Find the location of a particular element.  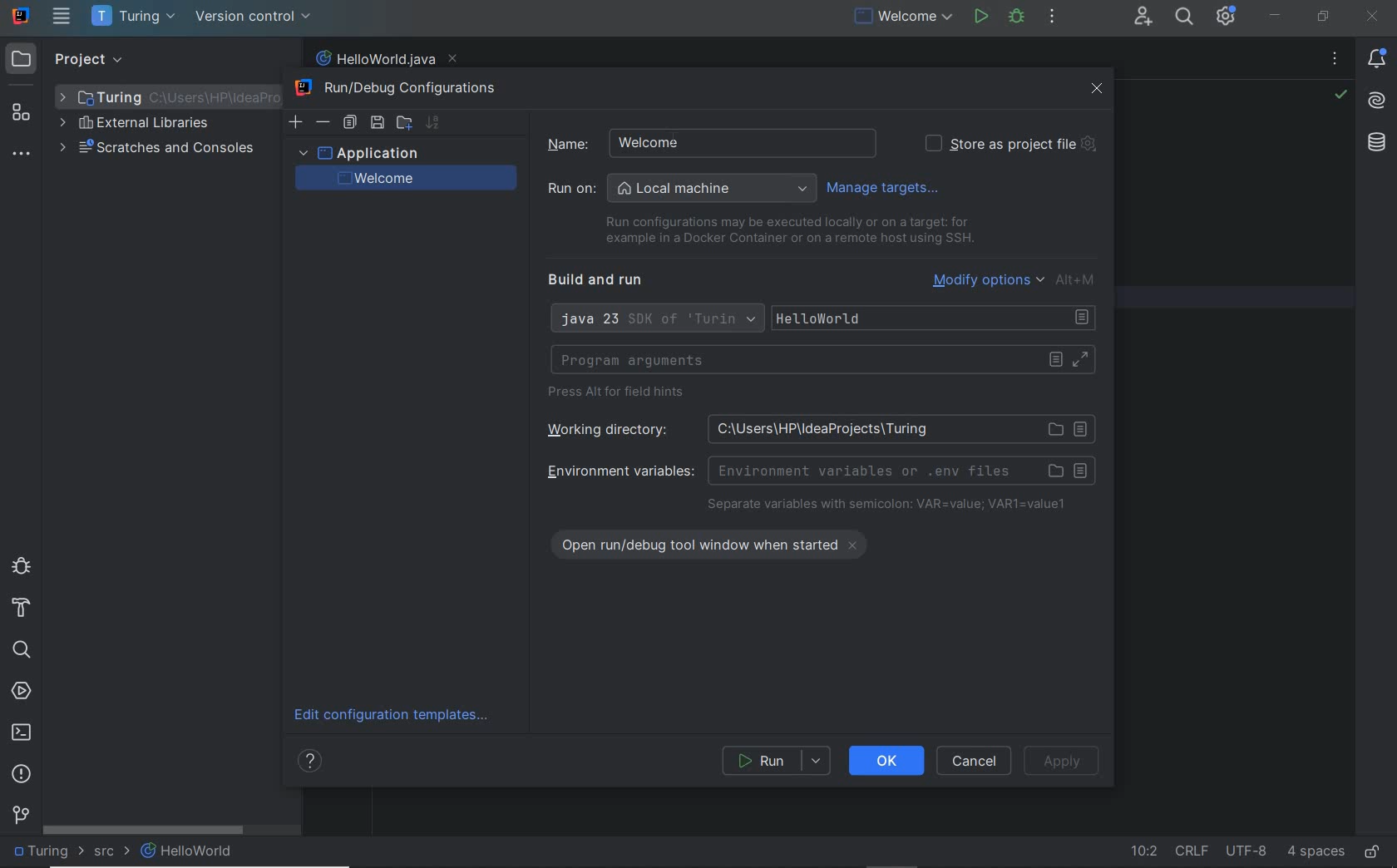

store as project file is located at coordinates (1009, 144).